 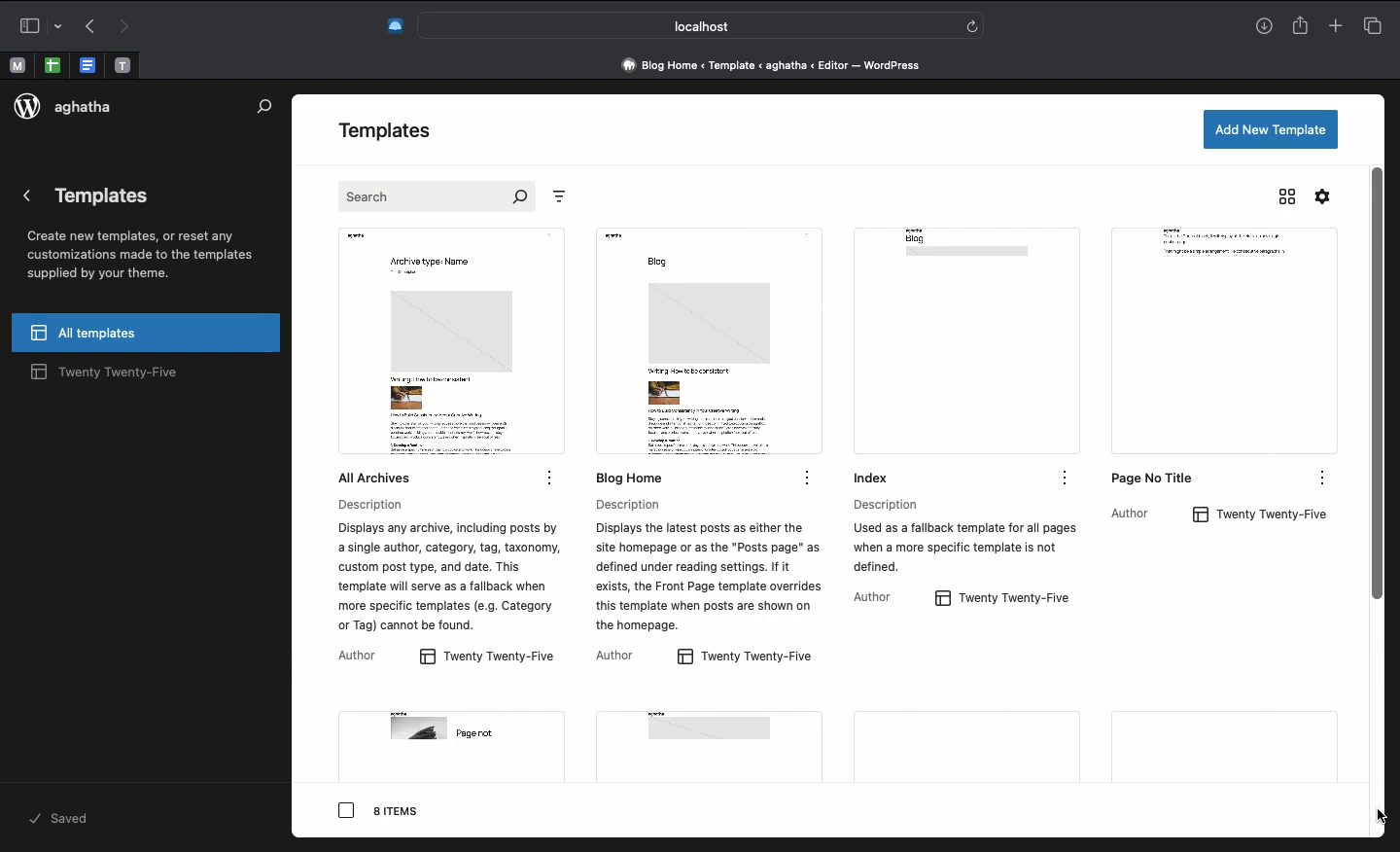 What do you see at coordinates (362, 658) in the screenshot?
I see `Author` at bounding box center [362, 658].